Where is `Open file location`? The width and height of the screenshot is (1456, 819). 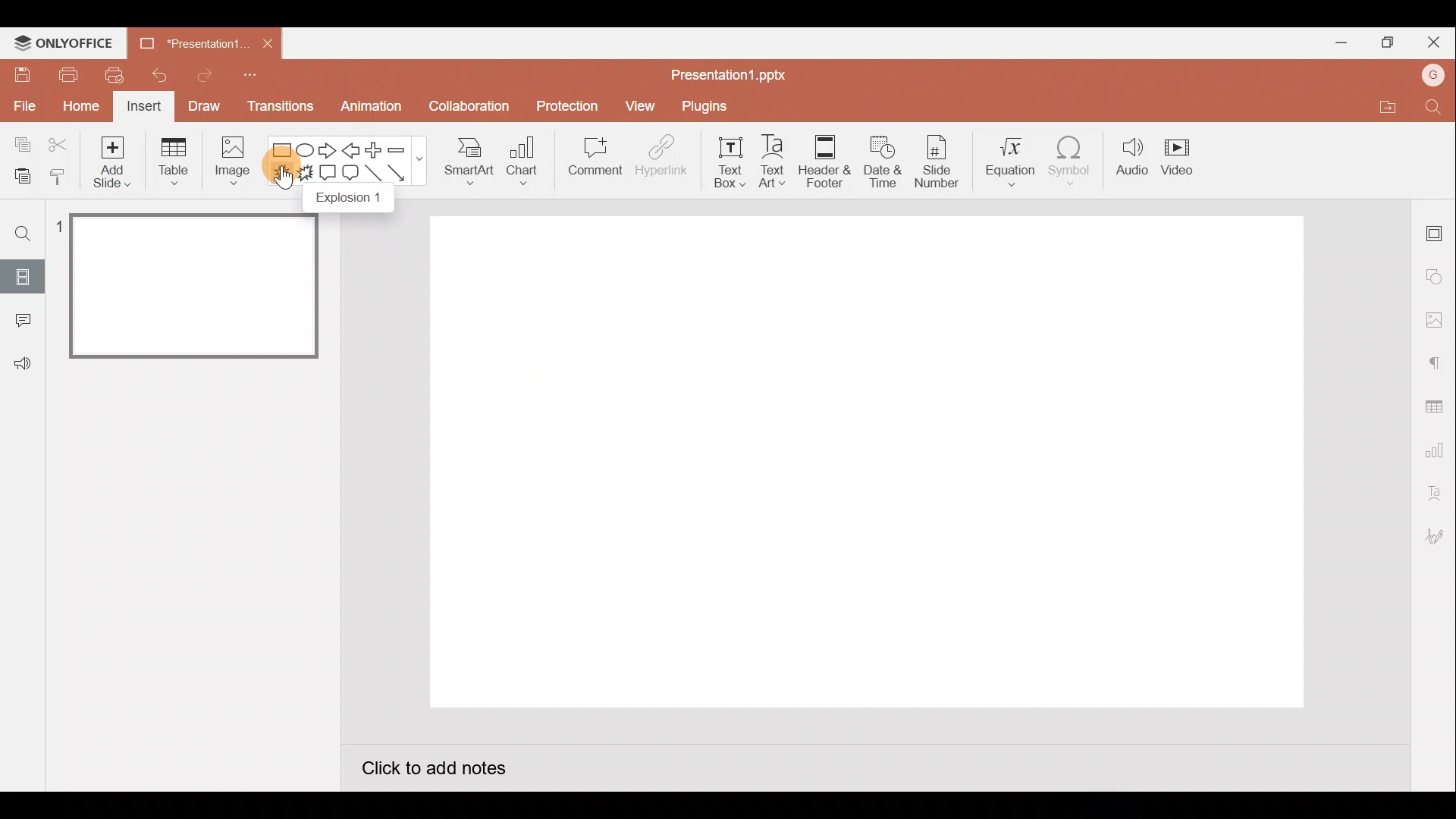 Open file location is located at coordinates (1379, 107).